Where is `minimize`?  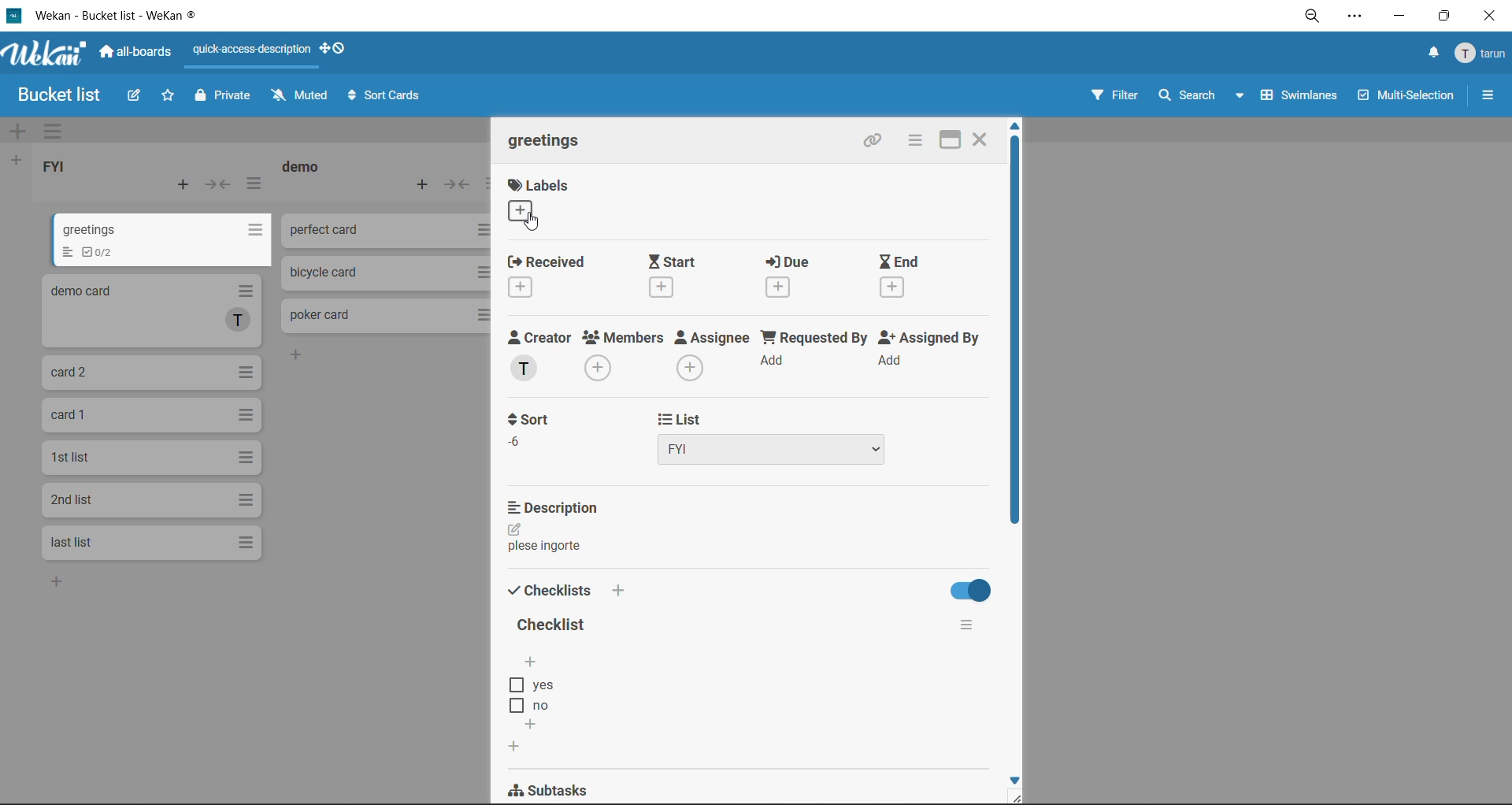
minimize is located at coordinates (1402, 18).